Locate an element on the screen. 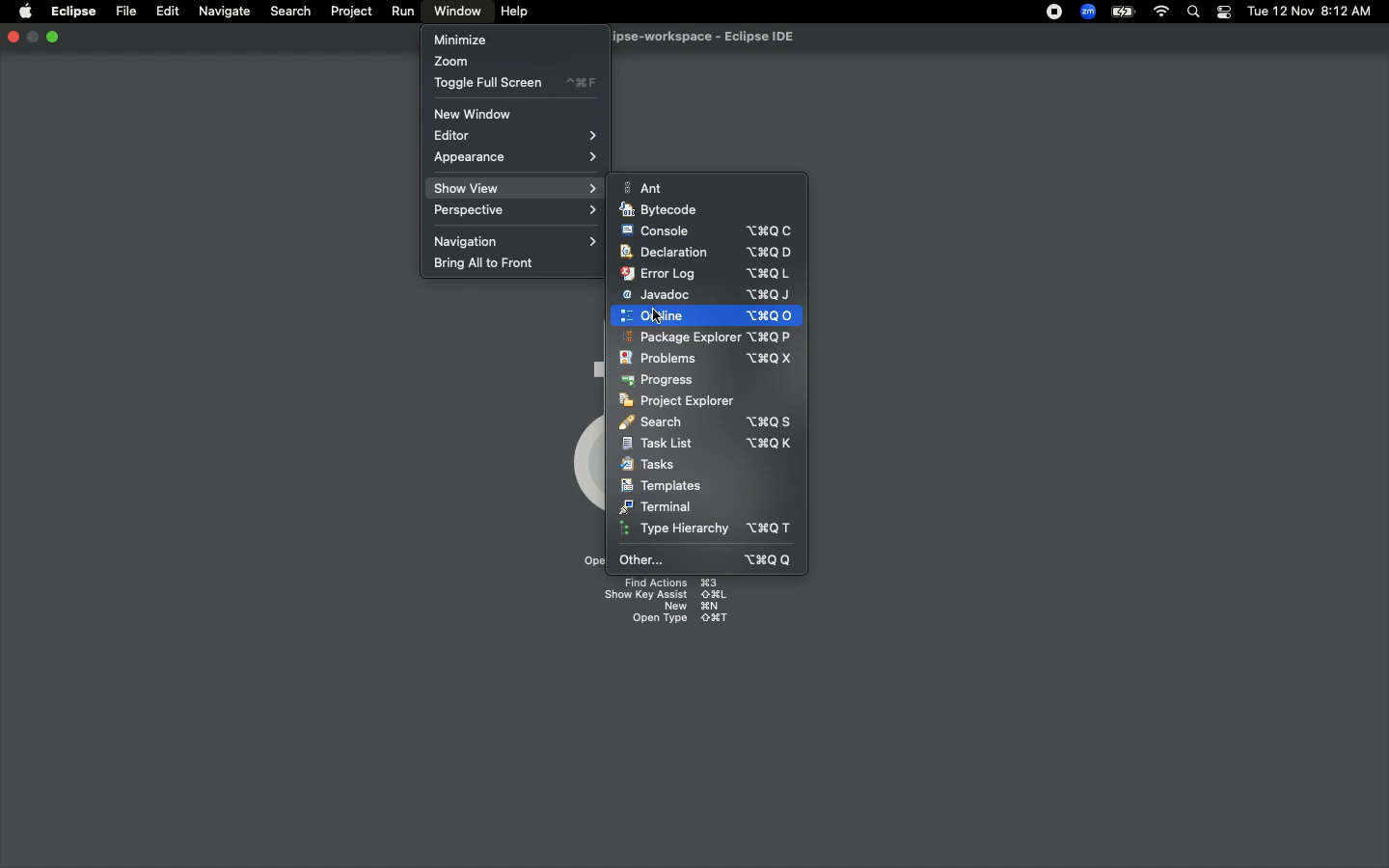 This screenshot has width=1389, height=868. Click outline is located at coordinates (705, 315).